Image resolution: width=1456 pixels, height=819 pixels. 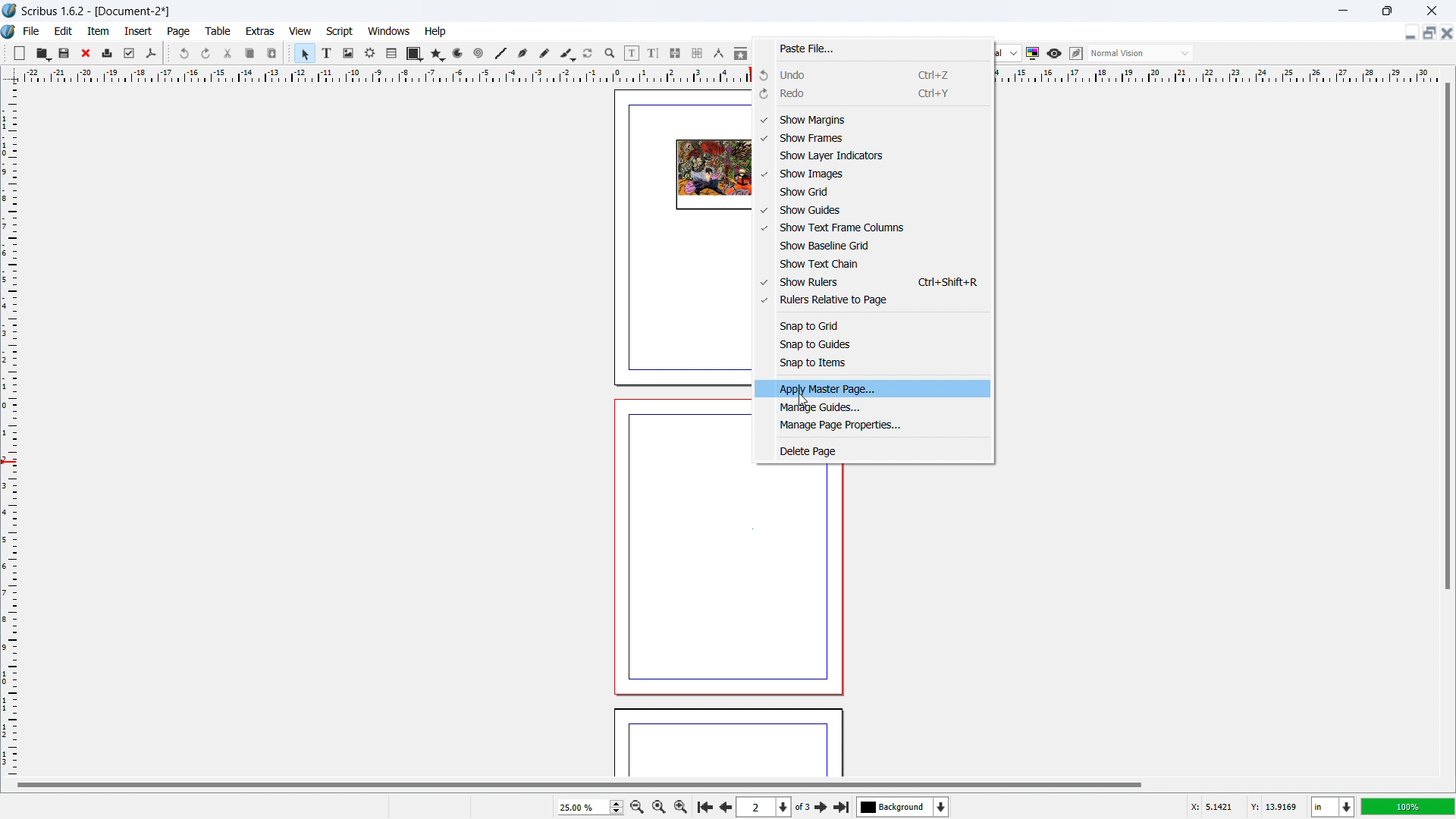 What do you see at coordinates (390, 31) in the screenshot?
I see `windows` at bounding box center [390, 31].